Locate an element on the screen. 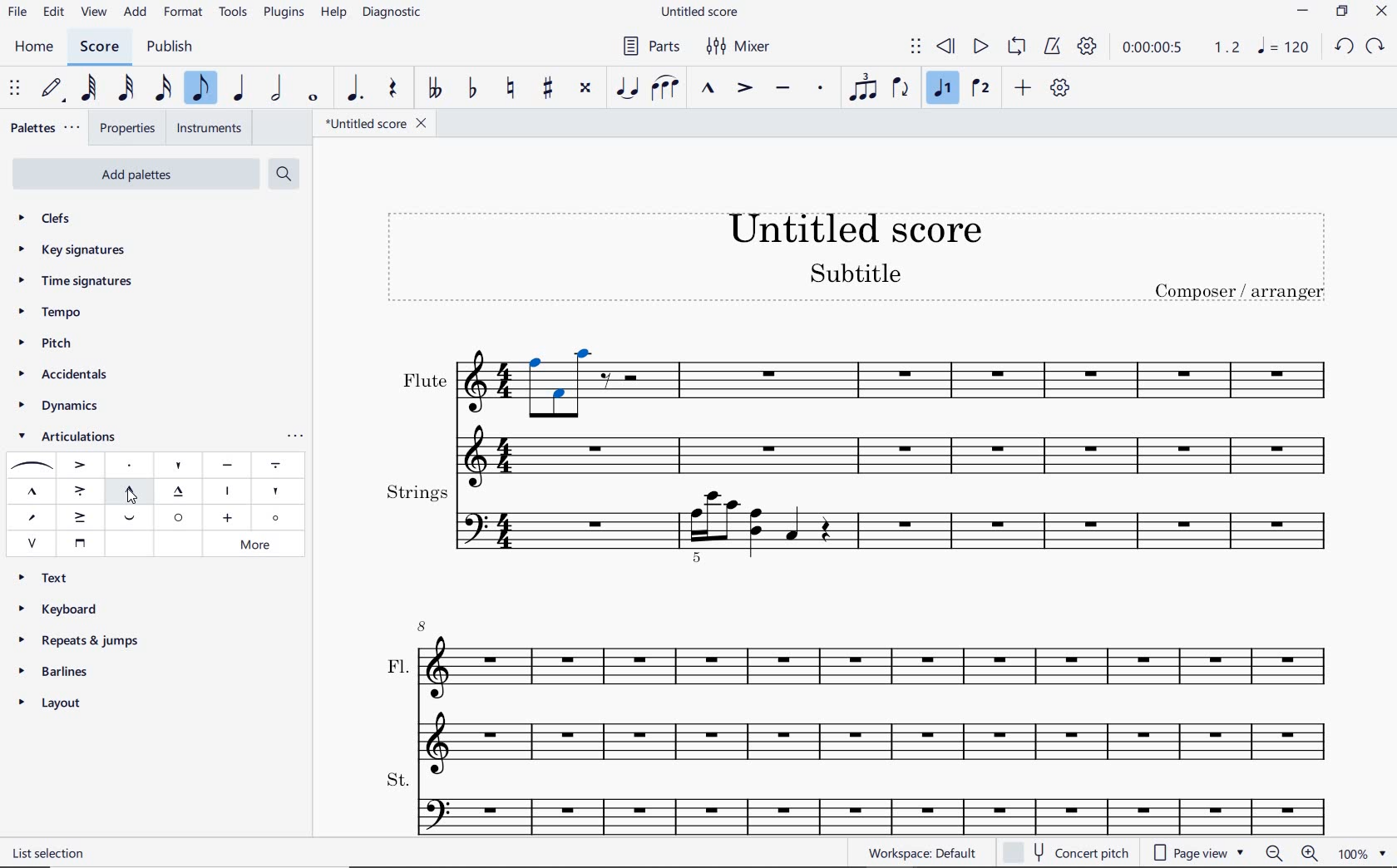 Image resolution: width=1397 pixels, height=868 pixels. HELP is located at coordinates (333, 14).